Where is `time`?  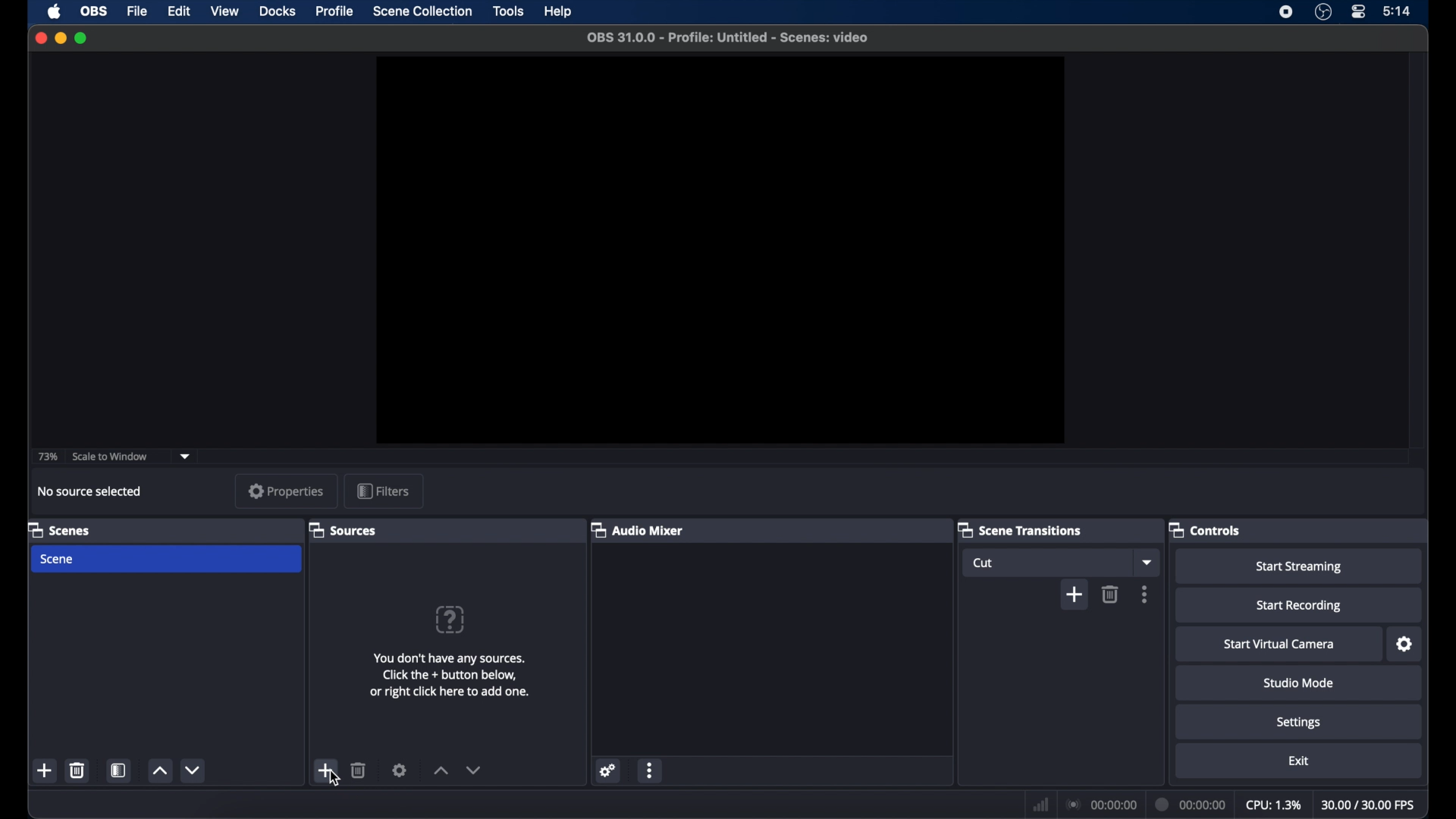 time is located at coordinates (1398, 11).